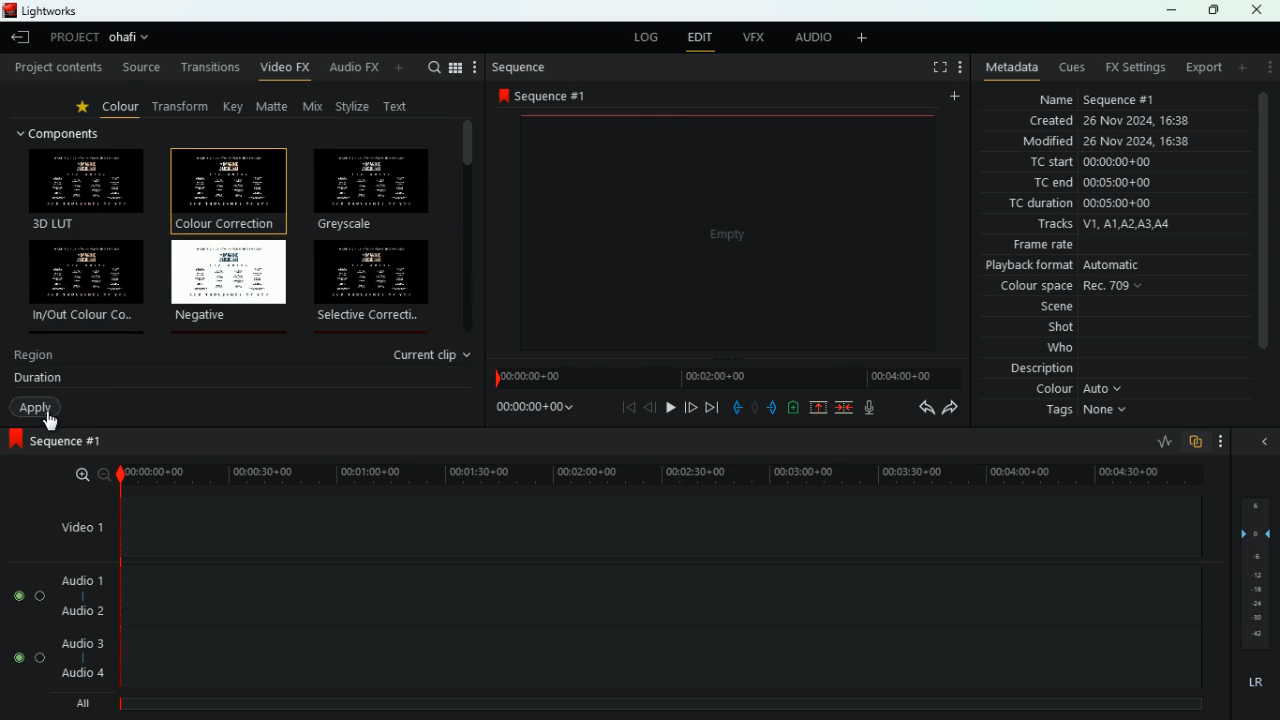 The height and width of the screenshot is (720, 1280). Describe the element at coordinates (434, 67) in the screenshot. I see `search` at that location.